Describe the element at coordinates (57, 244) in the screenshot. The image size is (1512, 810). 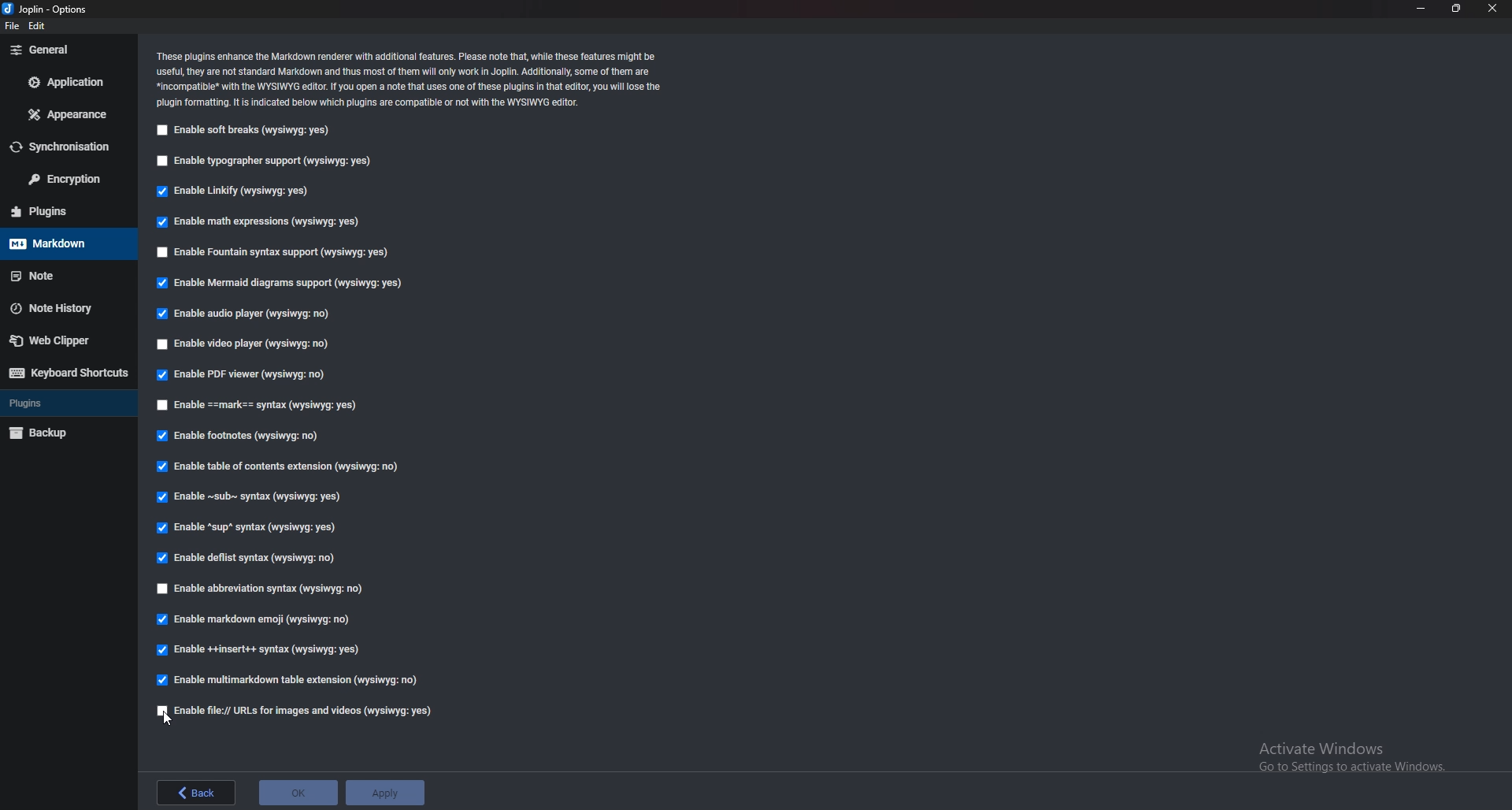
I see `Mark down` at that location.